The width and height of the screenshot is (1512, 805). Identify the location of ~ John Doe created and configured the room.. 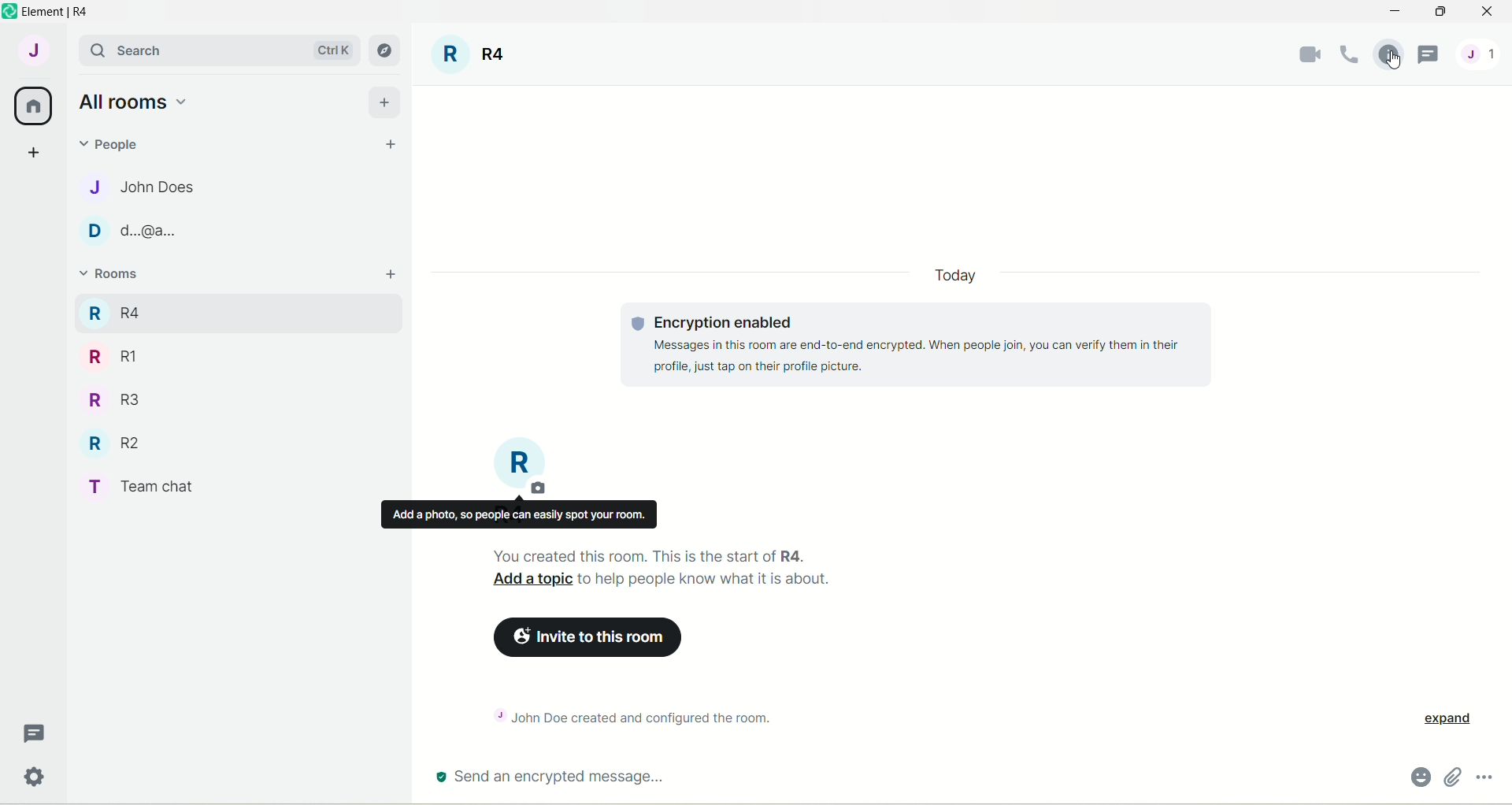
(649, 715).